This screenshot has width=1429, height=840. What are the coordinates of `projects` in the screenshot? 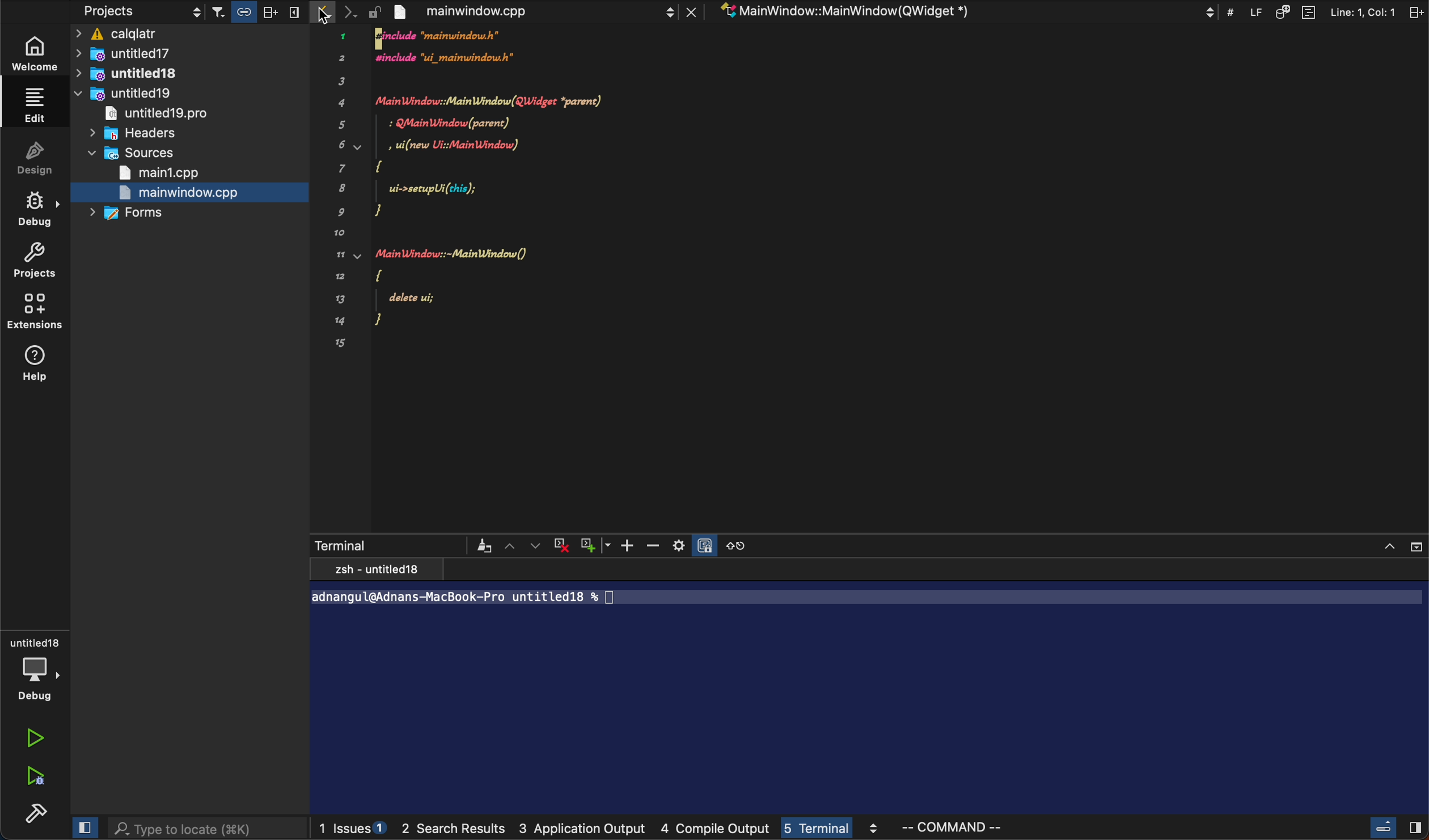 It's located at (137, 12).